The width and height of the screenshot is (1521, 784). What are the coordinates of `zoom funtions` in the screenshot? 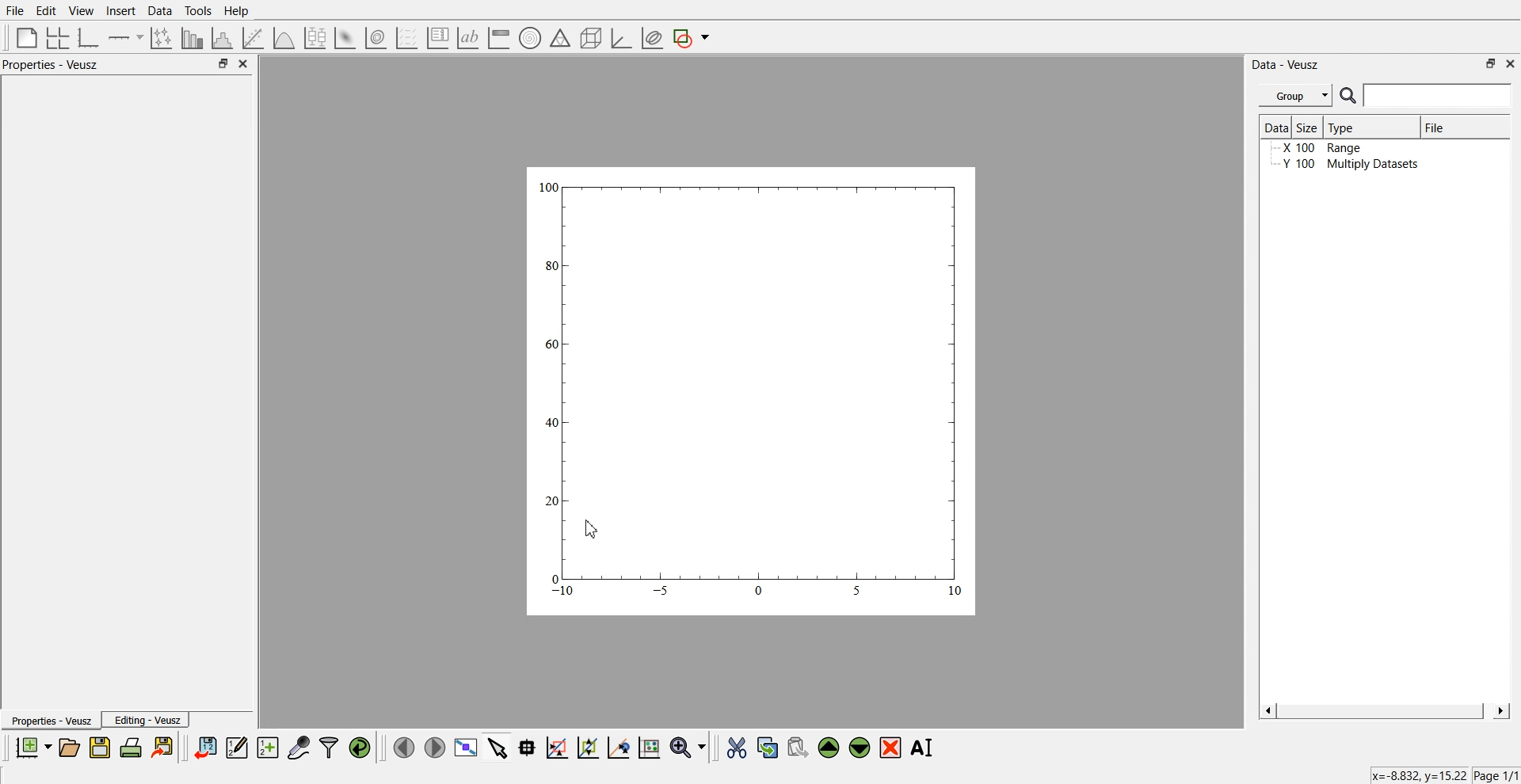 It's located at (688, 748).